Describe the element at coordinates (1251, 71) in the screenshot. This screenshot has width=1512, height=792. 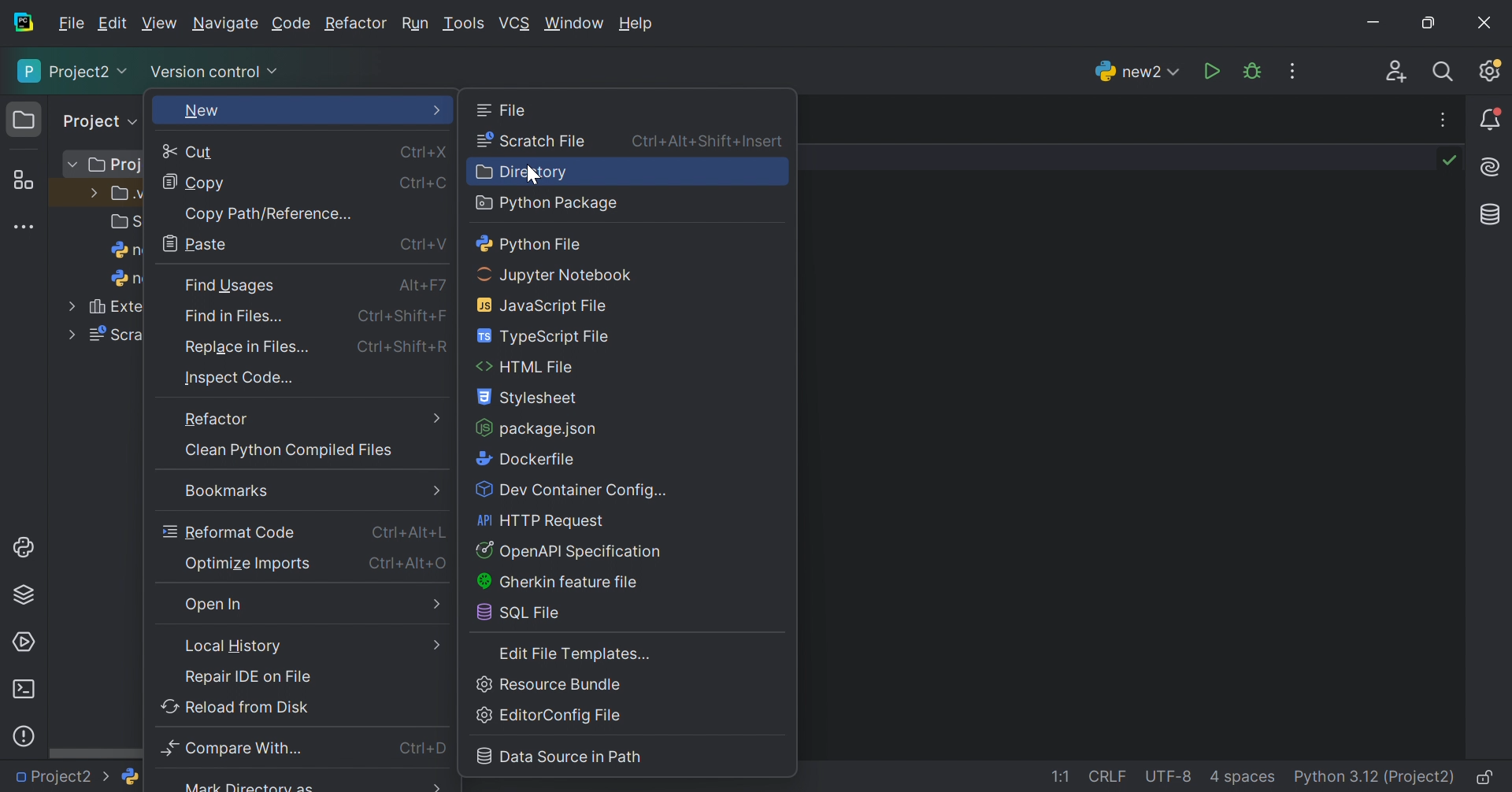
I see `Debug` at that location.